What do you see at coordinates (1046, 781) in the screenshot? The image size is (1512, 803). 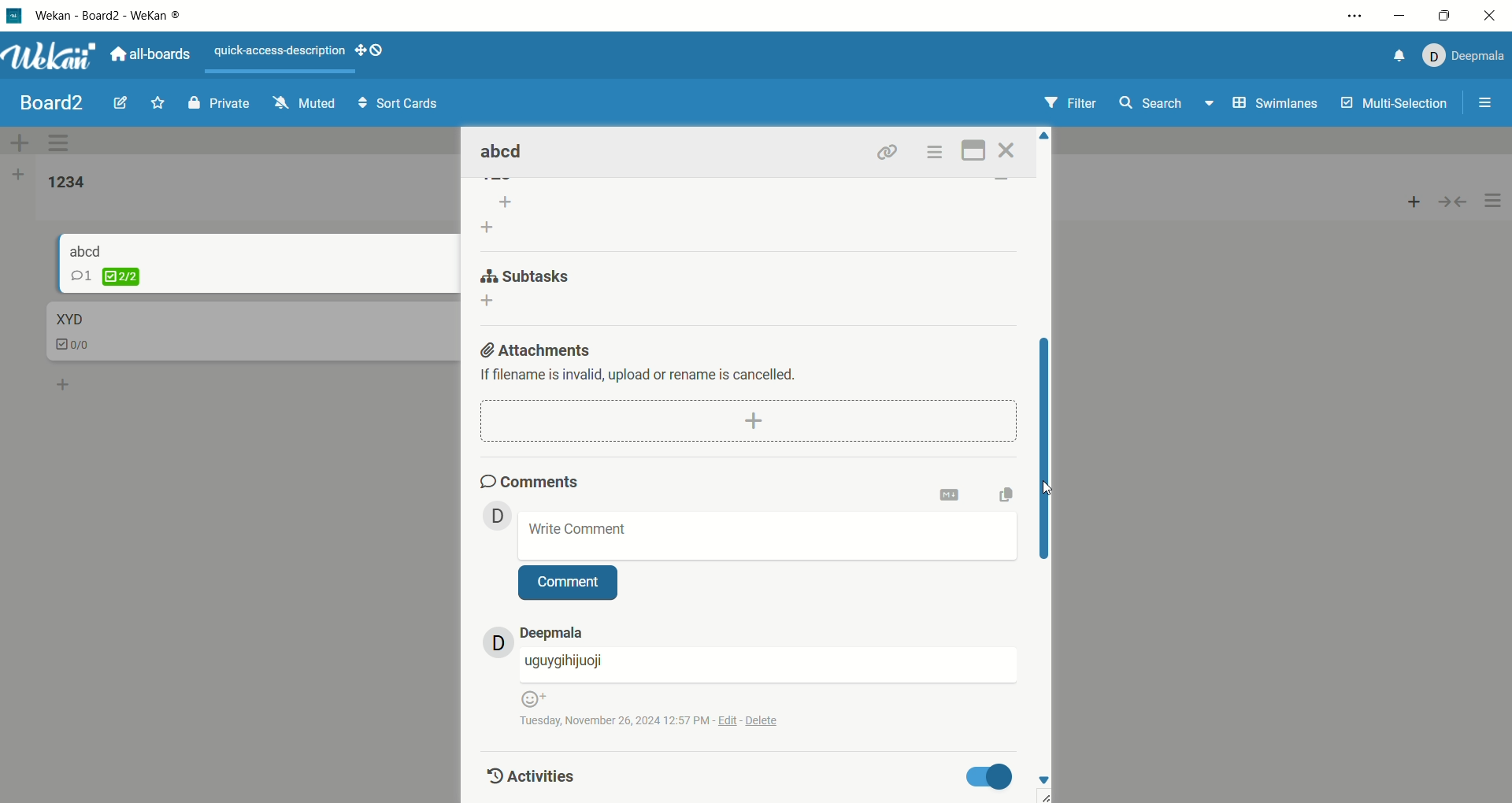 I see `down` at bounding box center [1046, 781].